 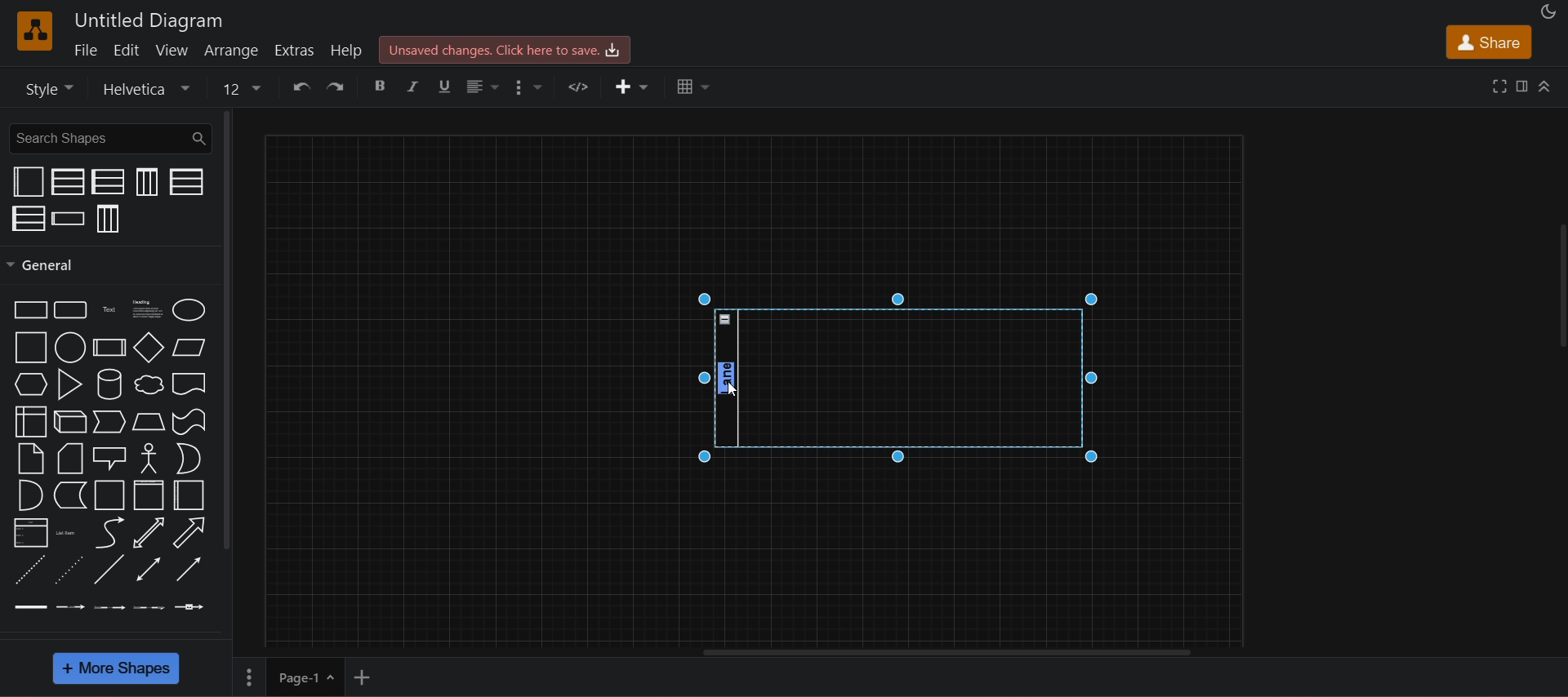 What do you see at coordinates (297, 51) in the screenshot?
I see `extras` at bounding box center [297, 51].